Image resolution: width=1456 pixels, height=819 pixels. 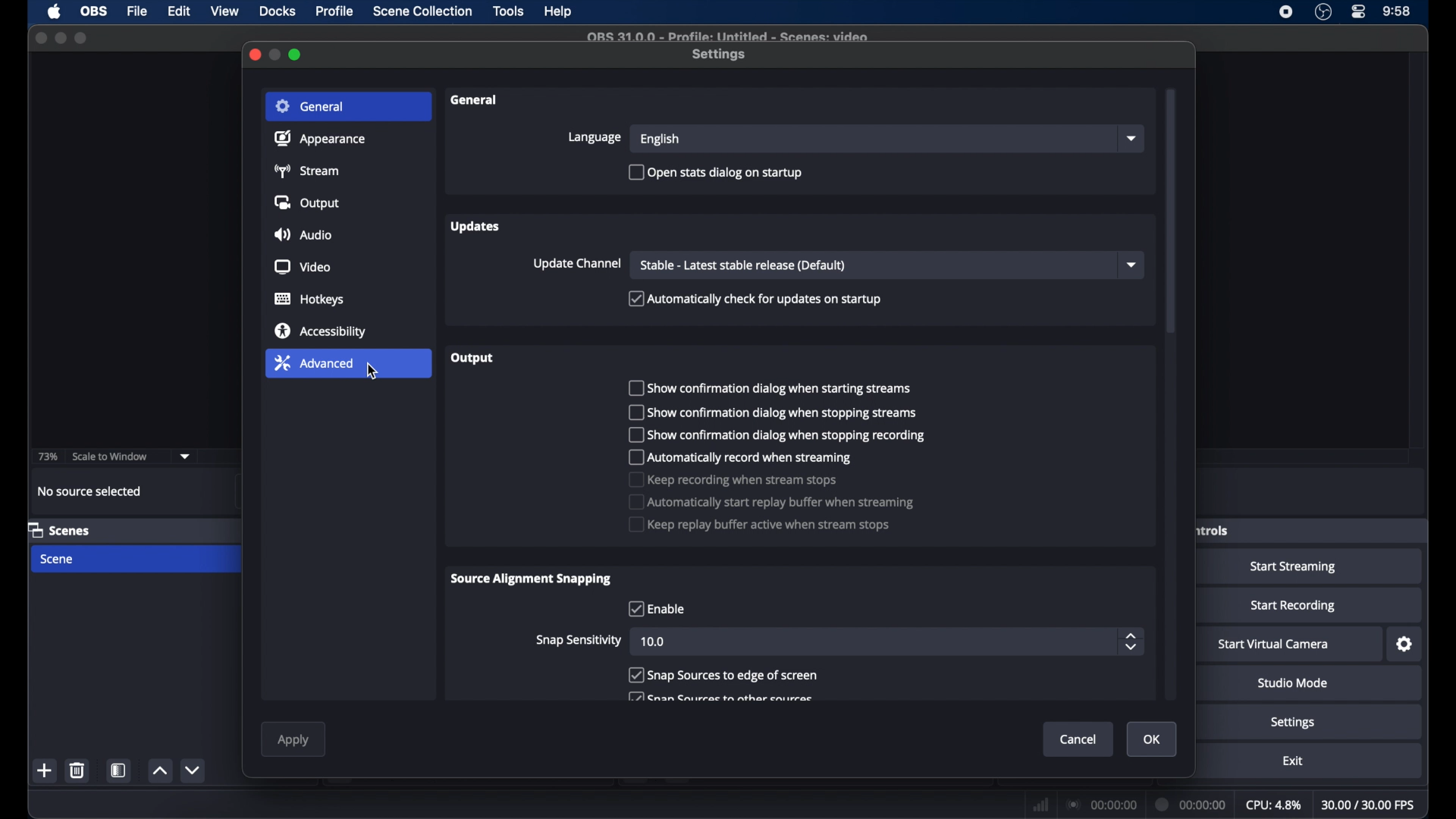 I want to click on scene, so click(x=58, y=559).